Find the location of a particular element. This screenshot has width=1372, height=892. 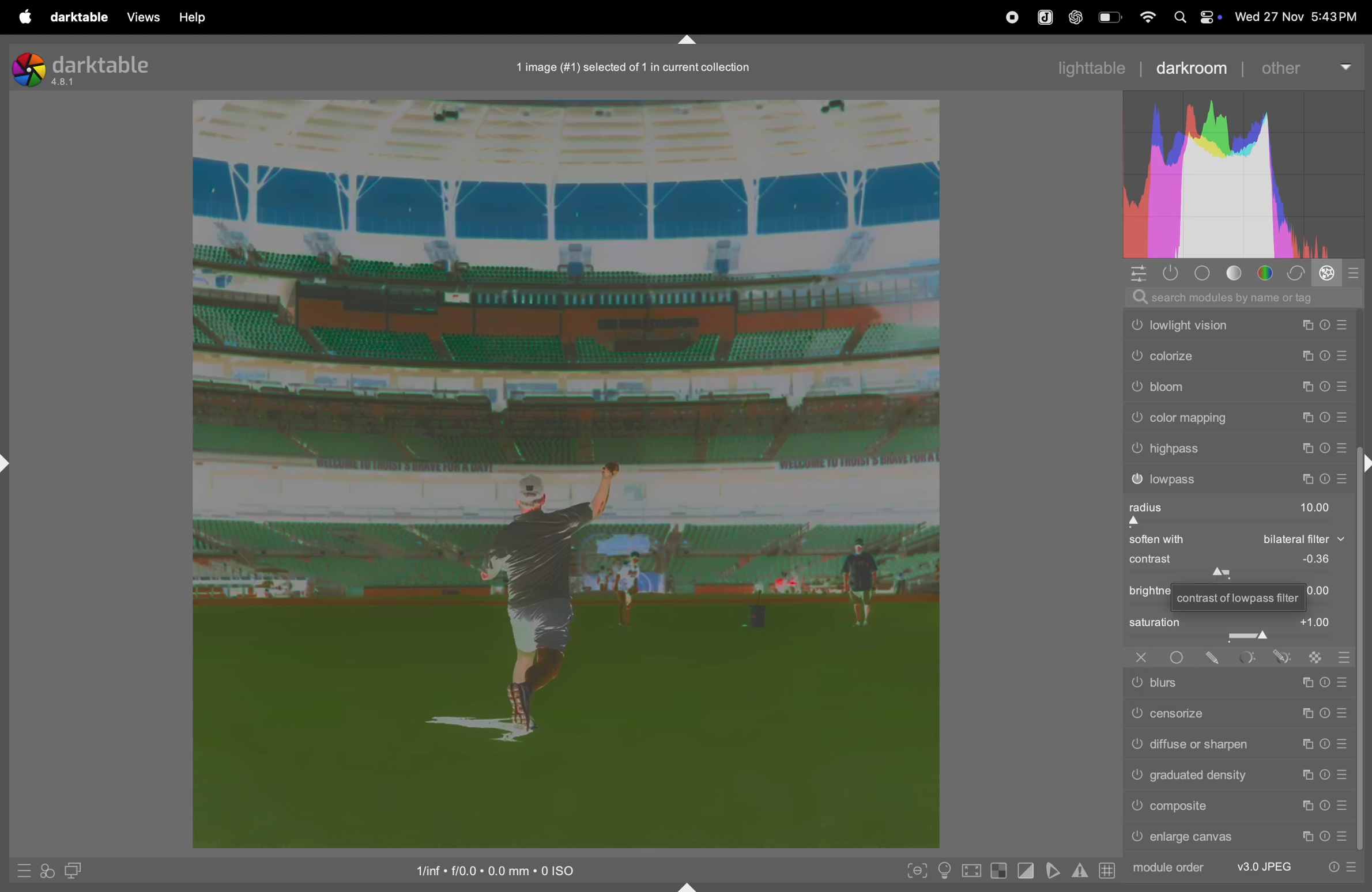

base is located at coordinates (1203, 273).